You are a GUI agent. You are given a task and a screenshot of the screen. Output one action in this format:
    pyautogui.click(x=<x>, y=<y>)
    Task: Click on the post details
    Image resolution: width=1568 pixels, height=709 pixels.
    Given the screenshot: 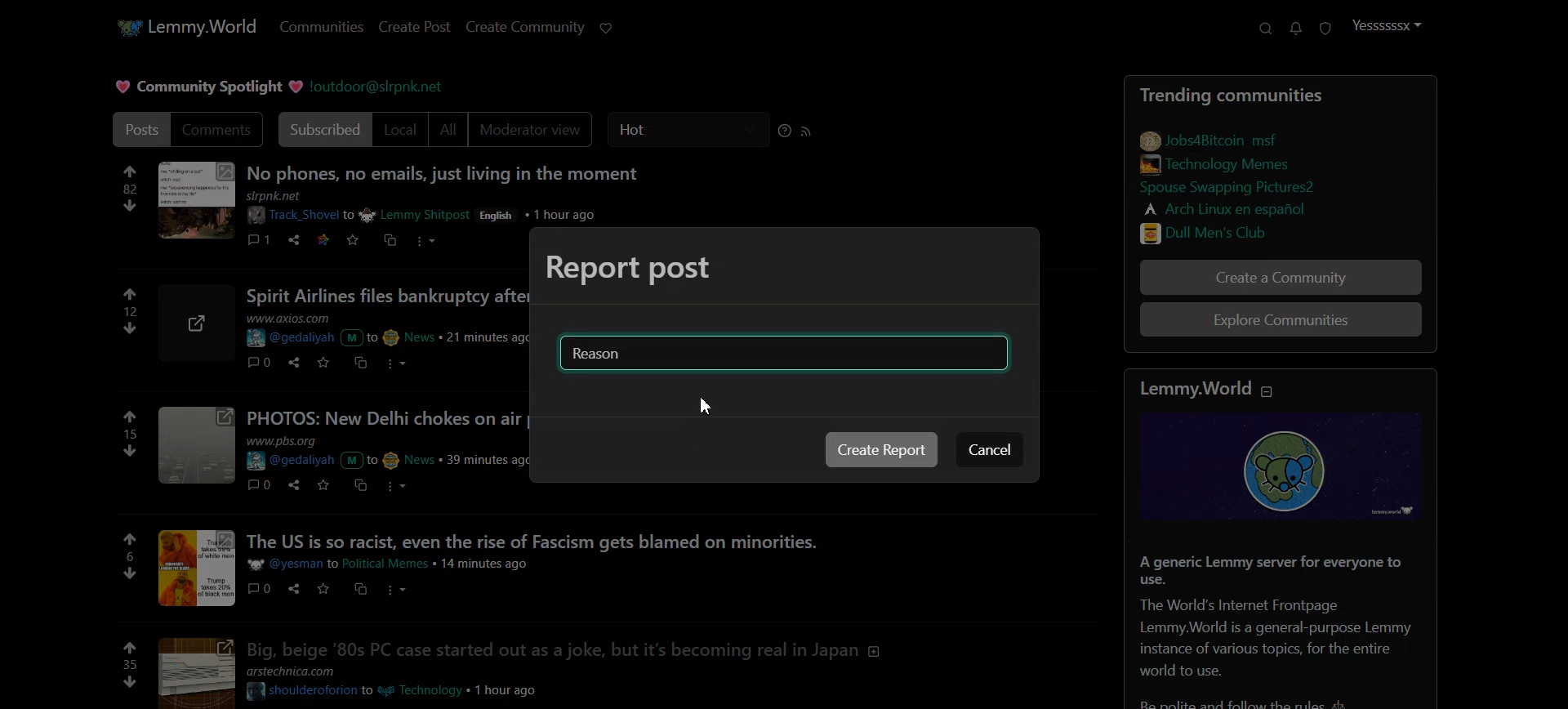 What is the action you would take?
    pyautogui.click(x=398, y=564)
    